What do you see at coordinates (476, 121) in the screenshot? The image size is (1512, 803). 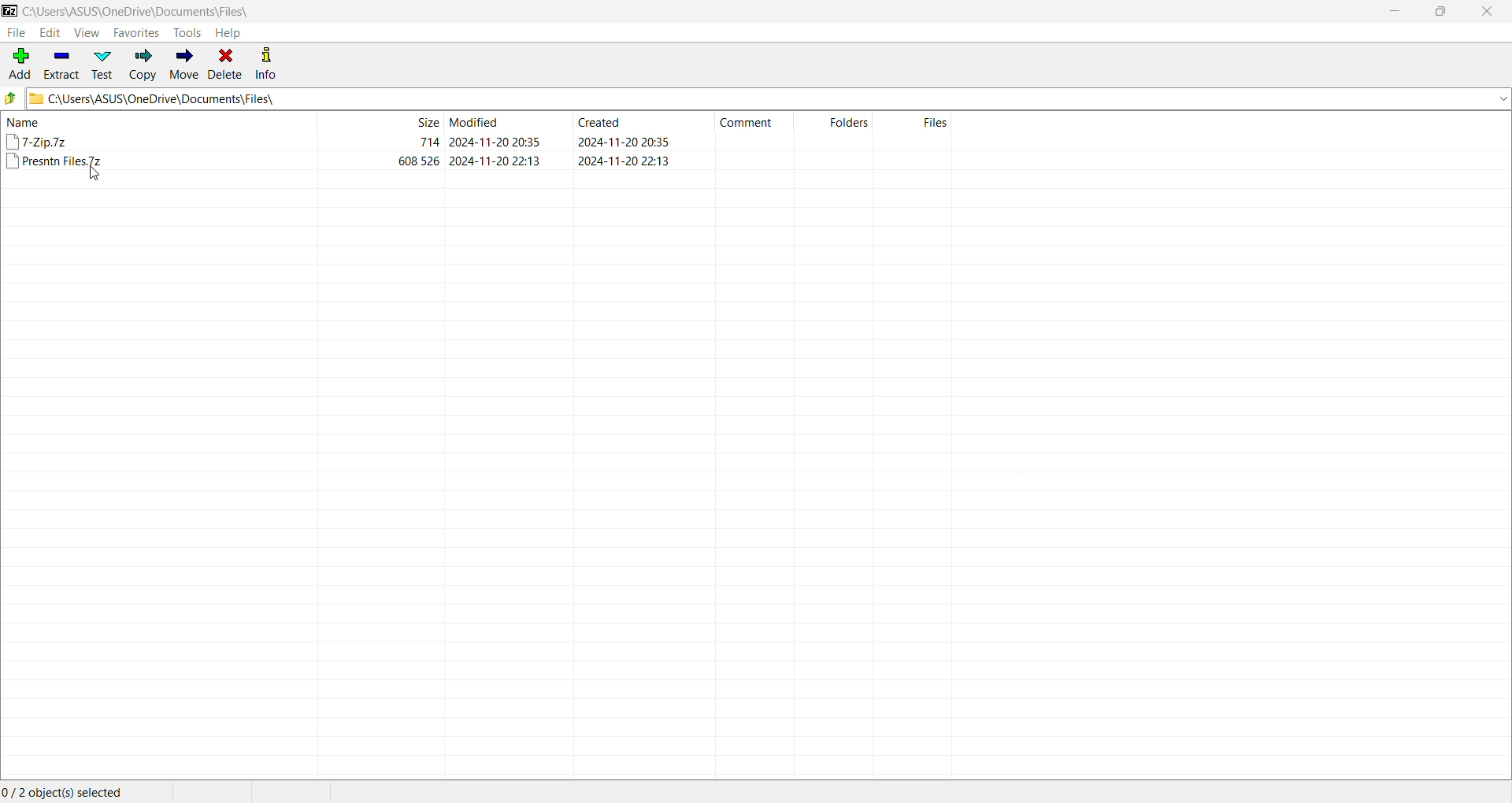 I see `modified` at bounding box center [476, 121].